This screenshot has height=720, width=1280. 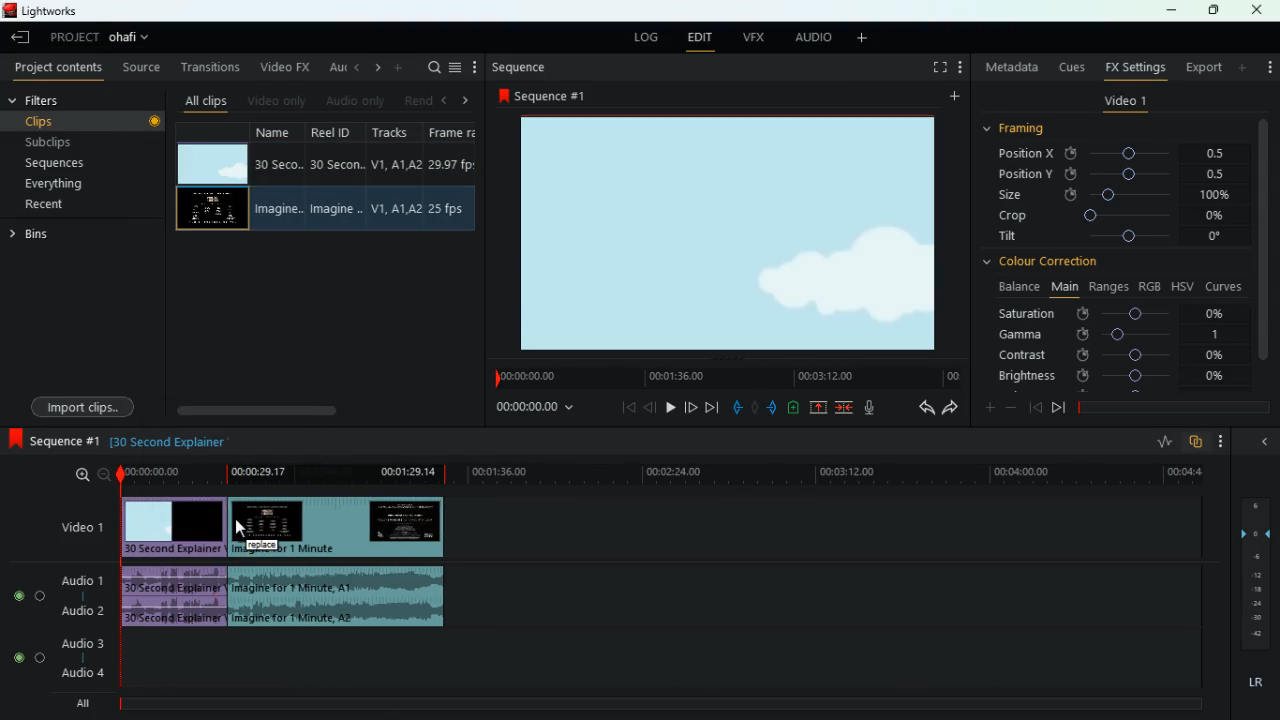 What do you see at coordinates (211, 164) in the screenshot?
I see `video` at bounding box center [211, 164].